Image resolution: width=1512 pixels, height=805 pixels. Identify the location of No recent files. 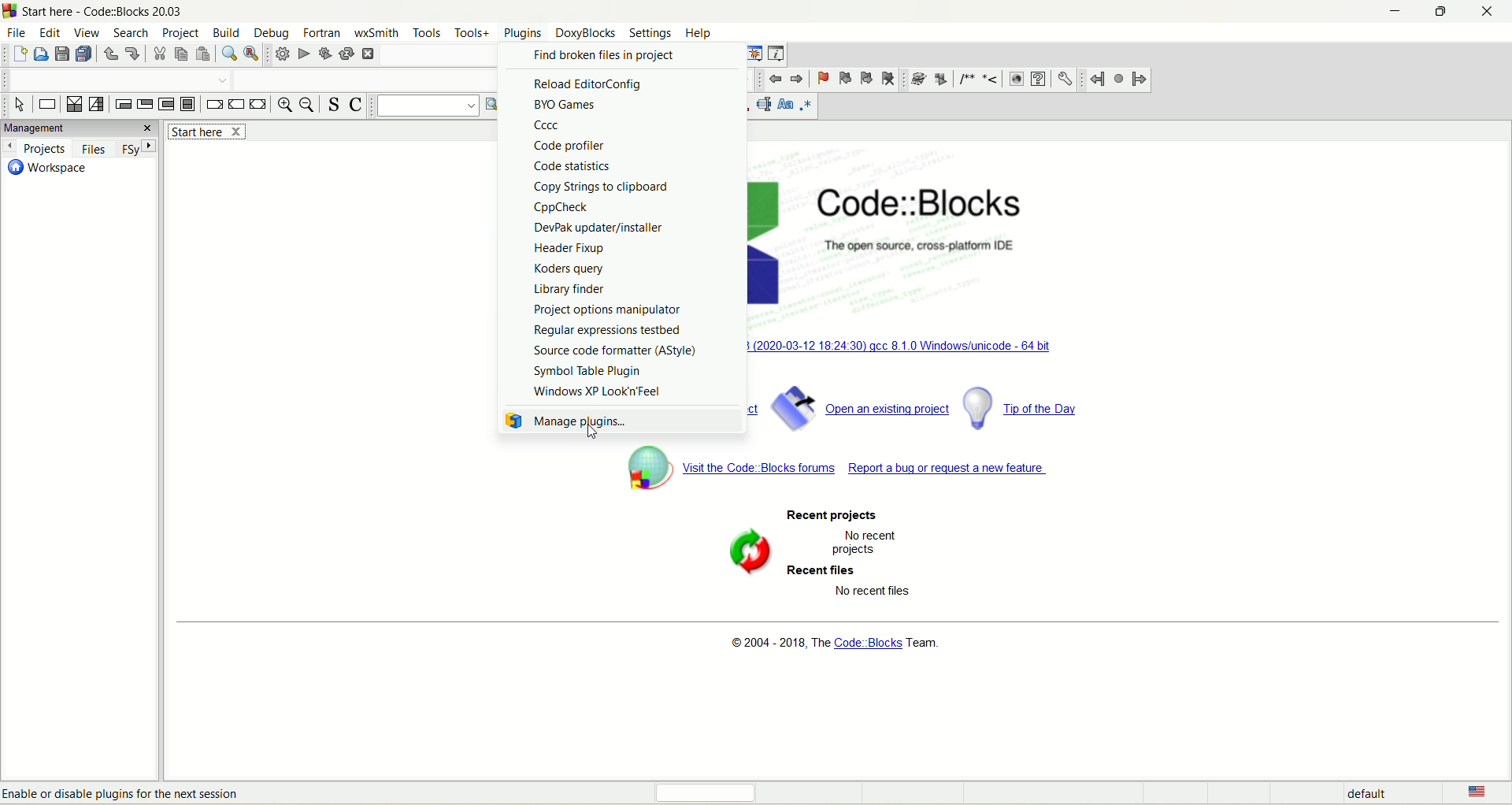
(874, 591).